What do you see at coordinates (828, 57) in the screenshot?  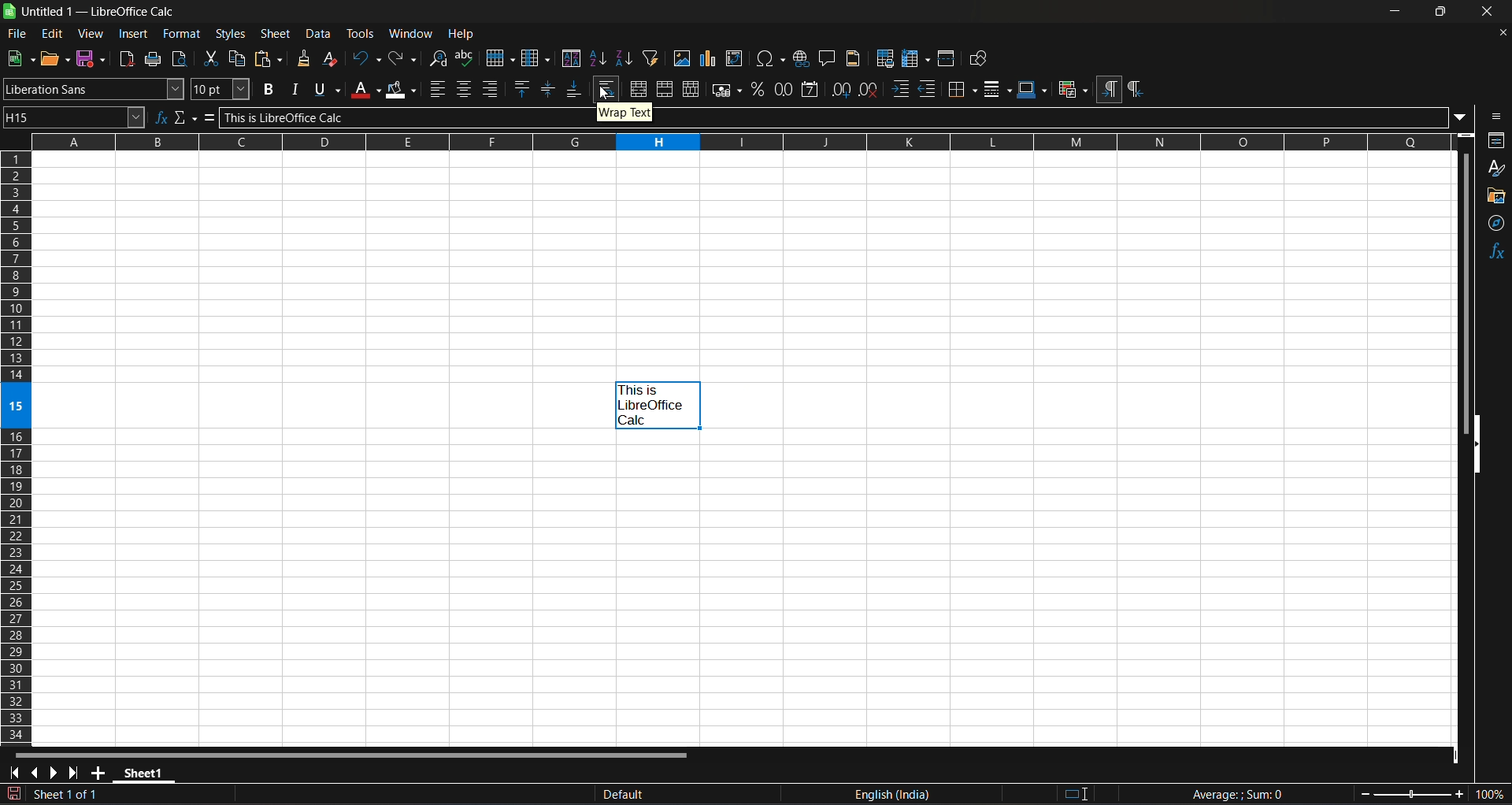 I see `insert comment` at bounding box center [828, 57].